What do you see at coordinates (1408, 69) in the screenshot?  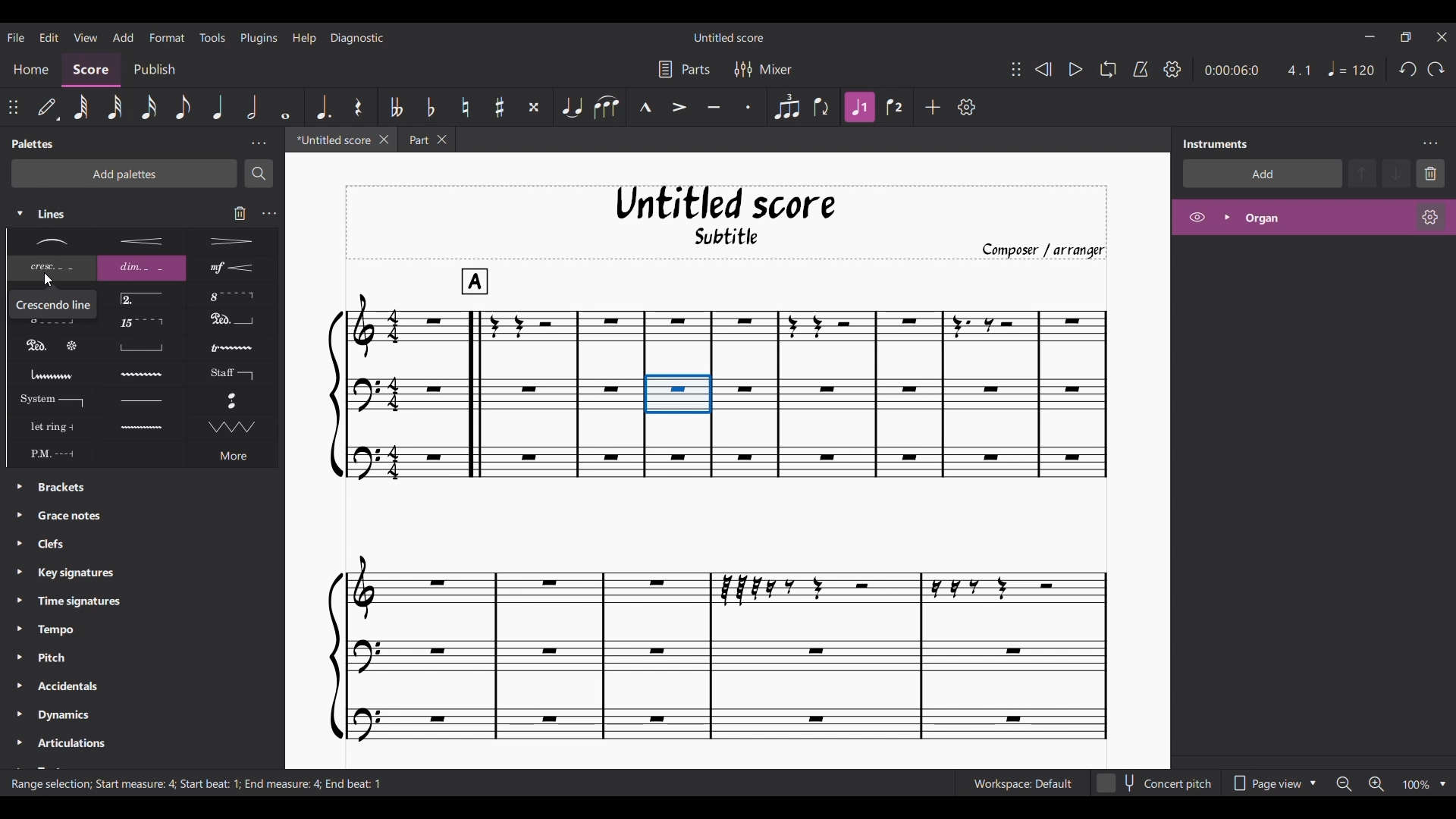 I see `Undo` at bounding box center [1408, 69].